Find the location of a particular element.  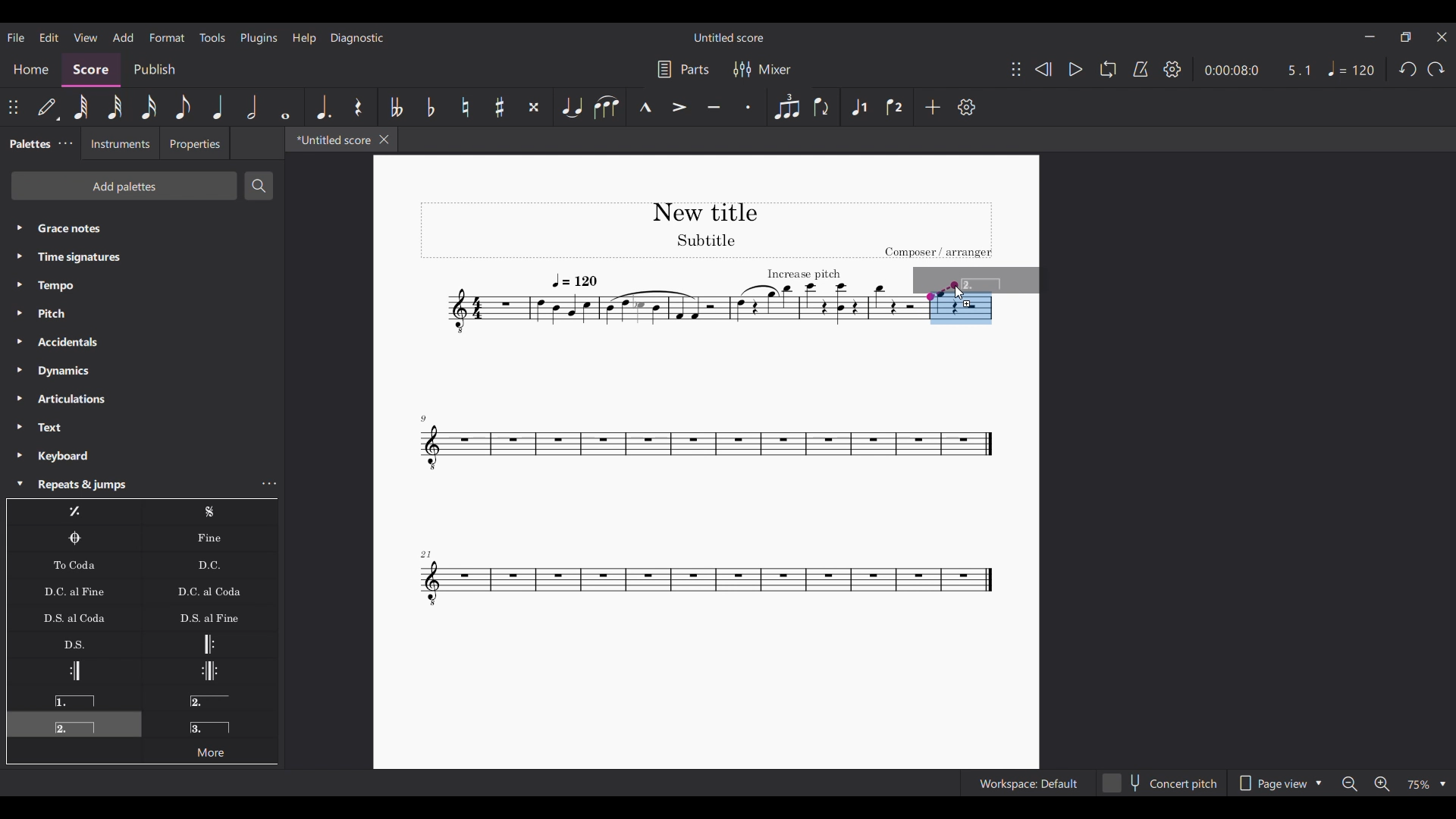

Publish section is located at coordinates (155, 71).